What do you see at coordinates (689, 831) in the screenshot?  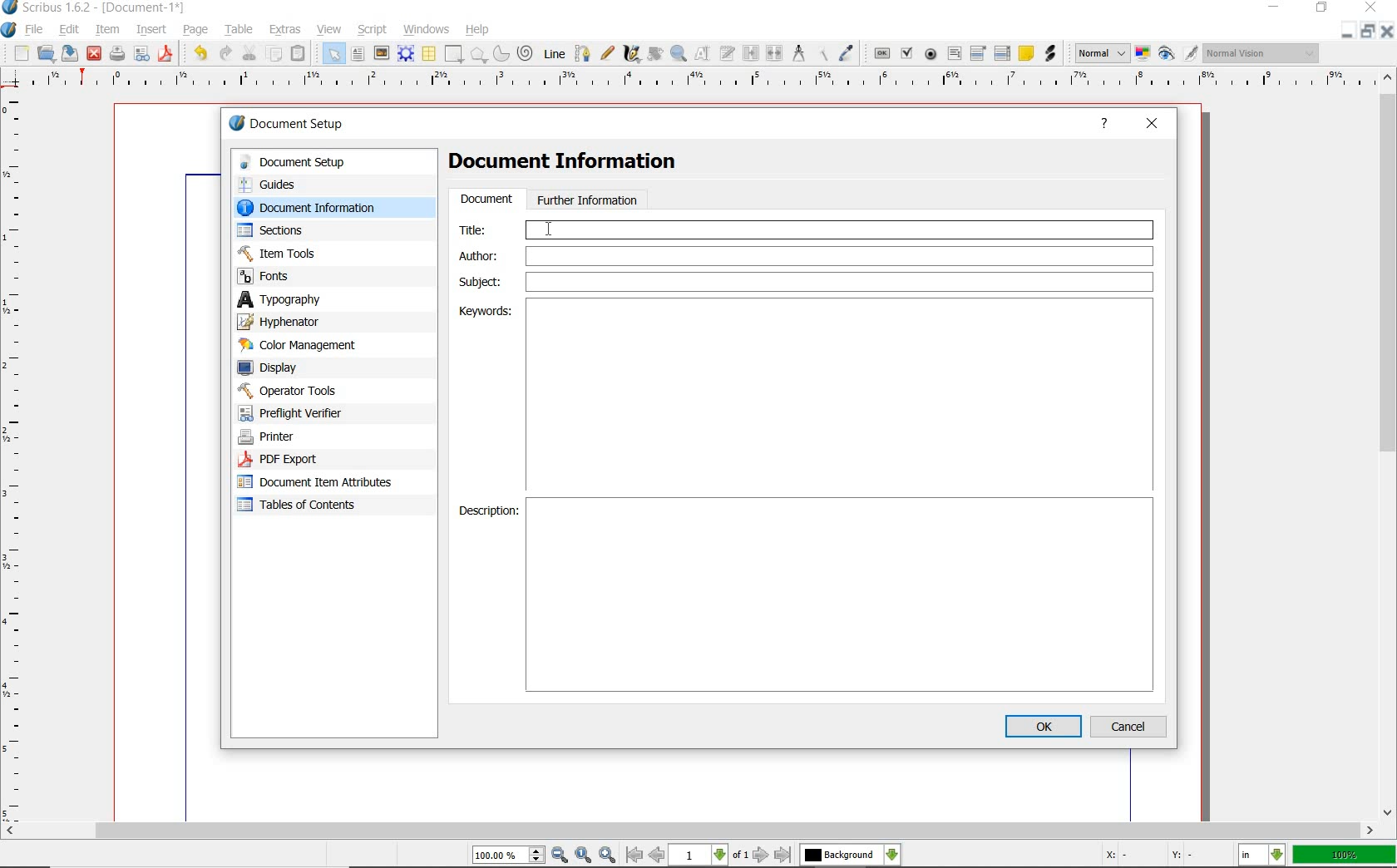 I see `scrollbar` at bounding box center [689, 831].